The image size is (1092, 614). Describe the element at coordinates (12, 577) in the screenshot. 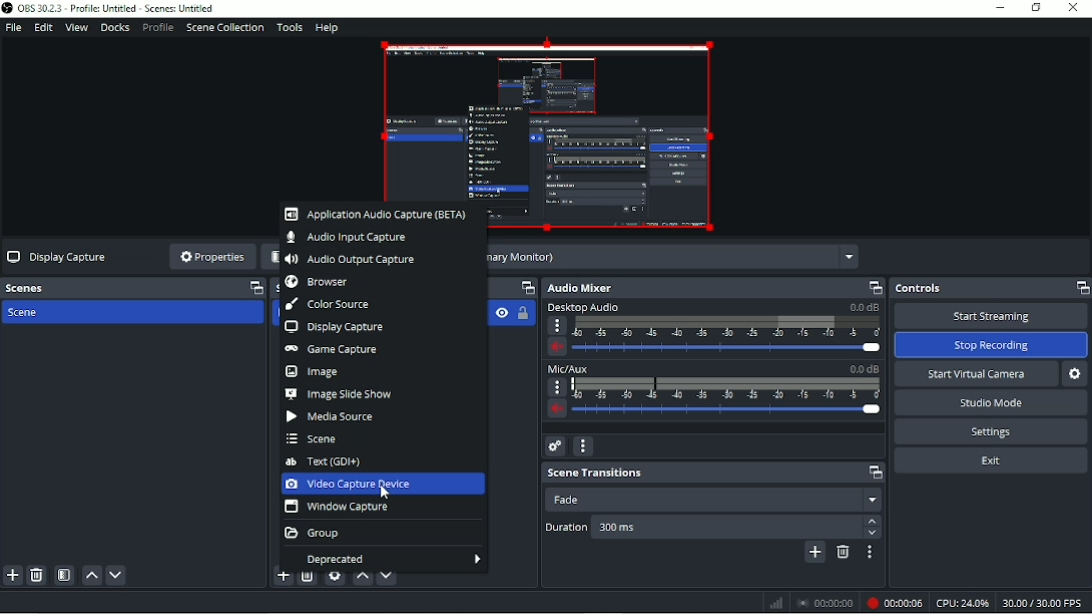

I see `Add scene` at that location.